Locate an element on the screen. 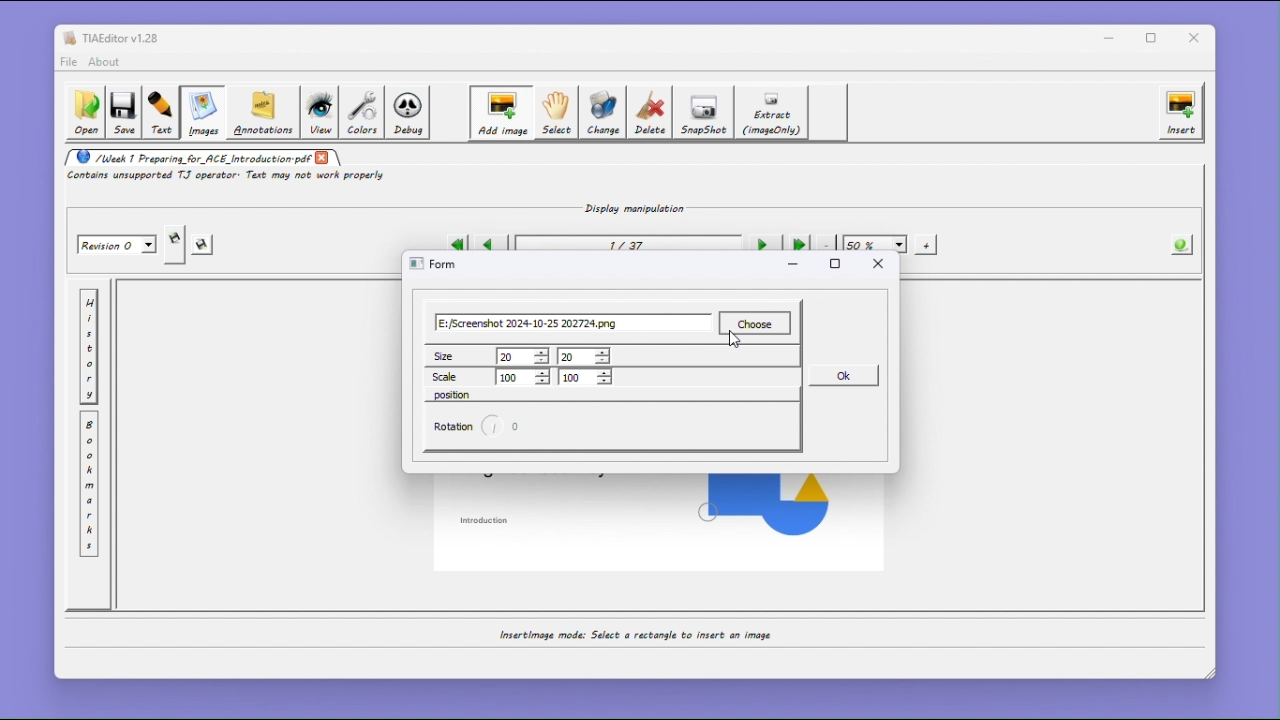  Last page is located at coordinates (798, 245).